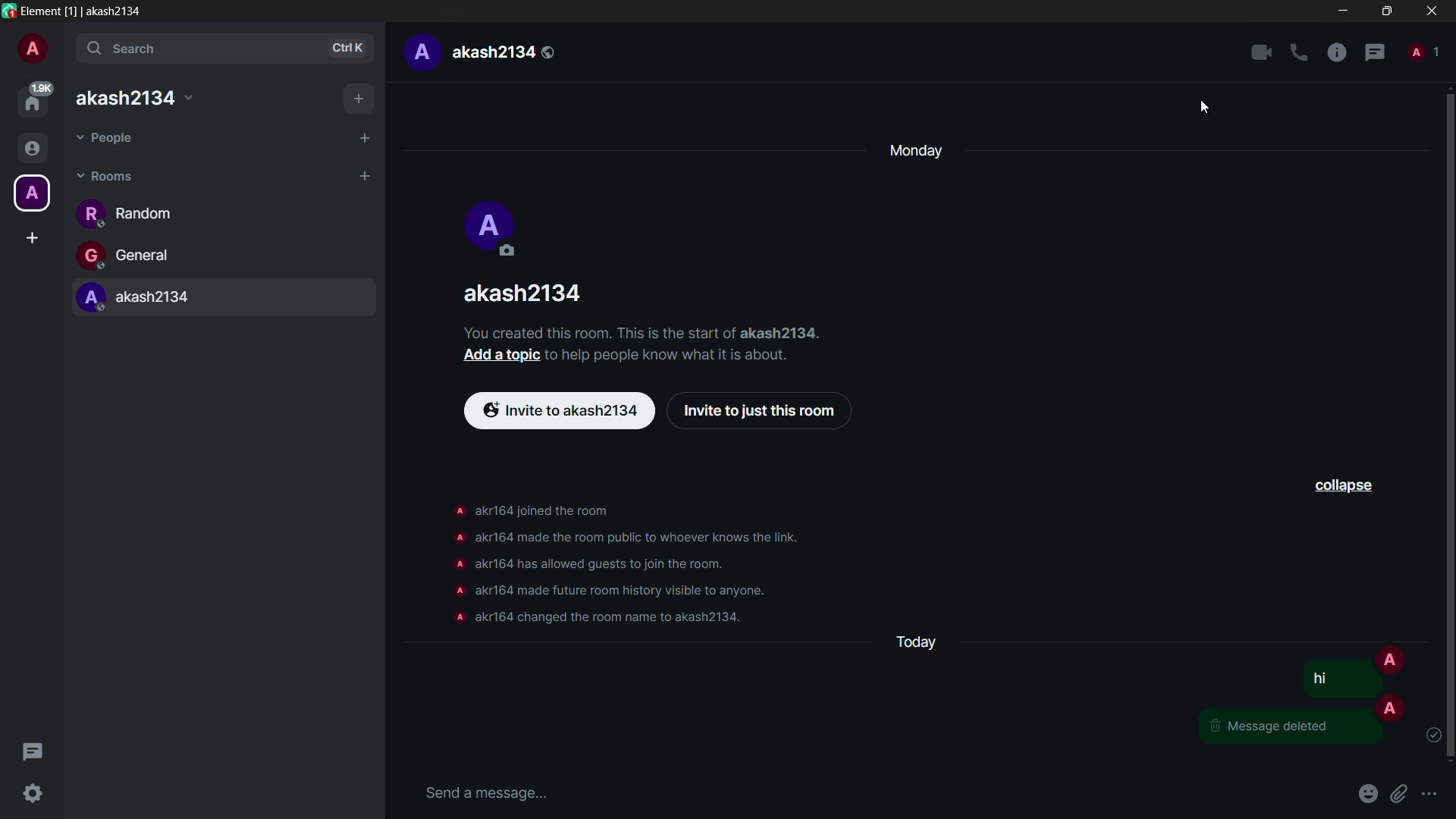  Describe the element at coordinates (1447, 424) in the screenshot. I see `scroll down` at that location.